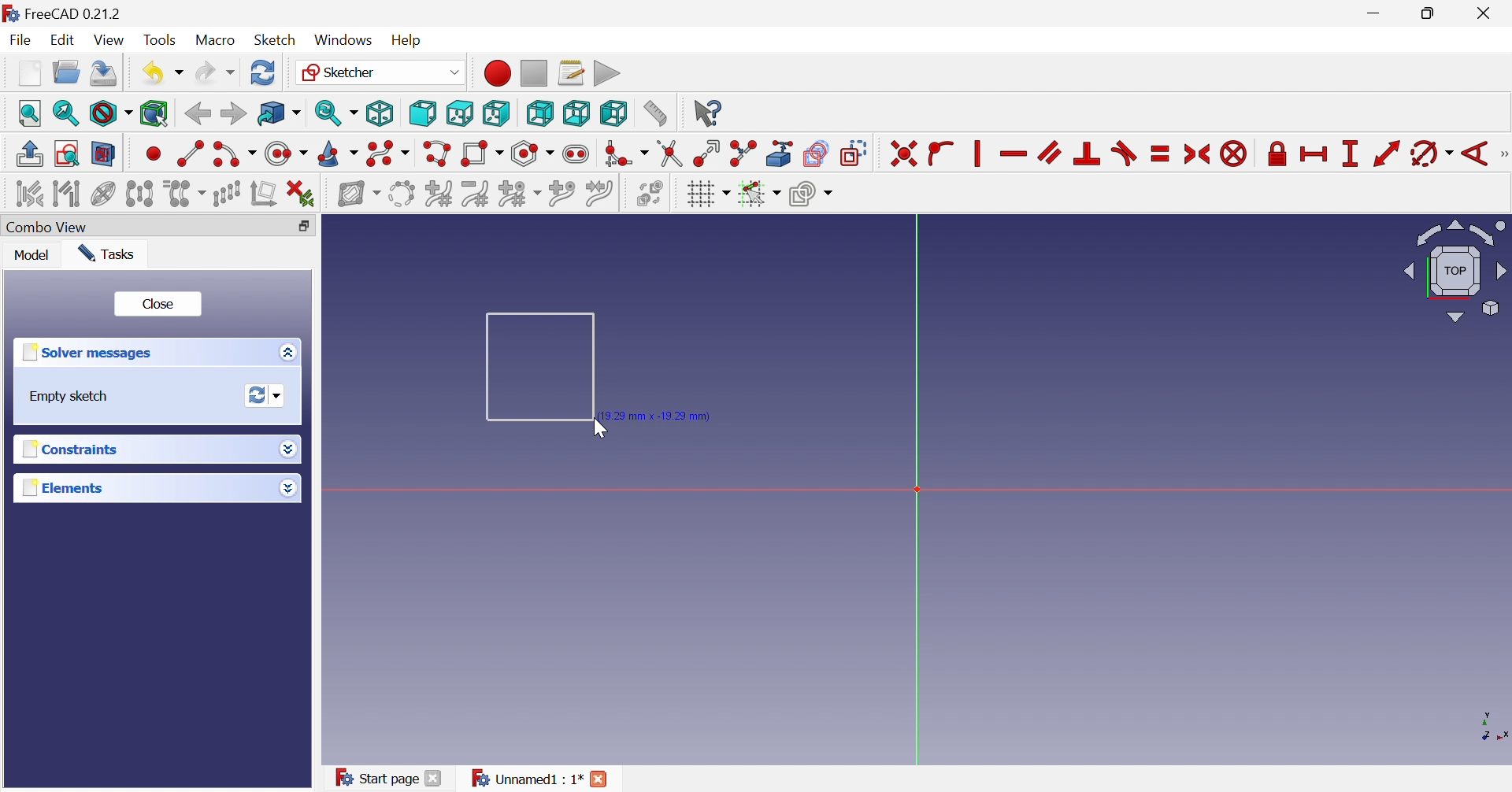 The width and height of the screenshot is (1512, 792). I want to click on Redo, so click(215, 73).